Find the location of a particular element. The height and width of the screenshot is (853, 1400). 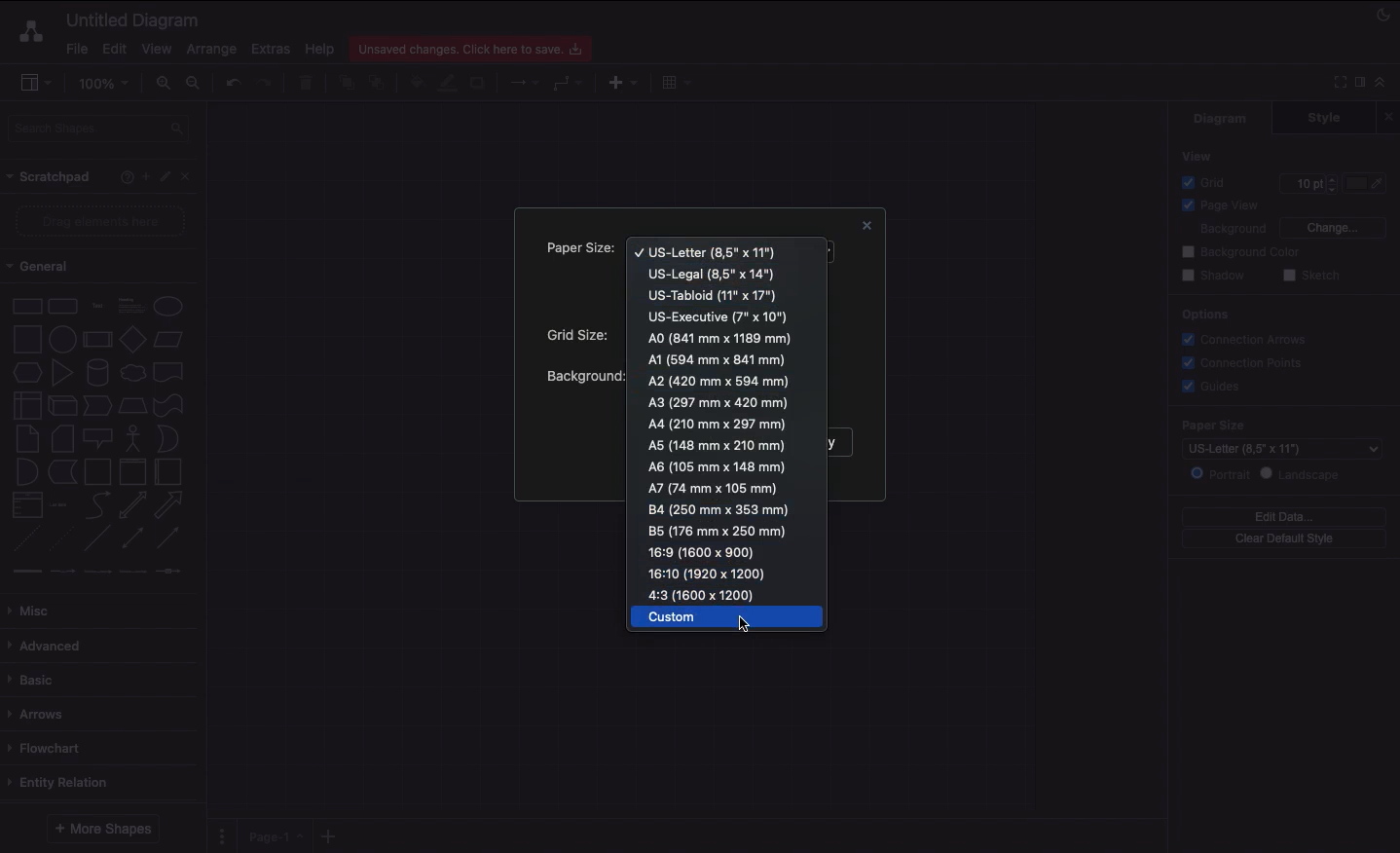

Redo is located at coordinates (264, 84).